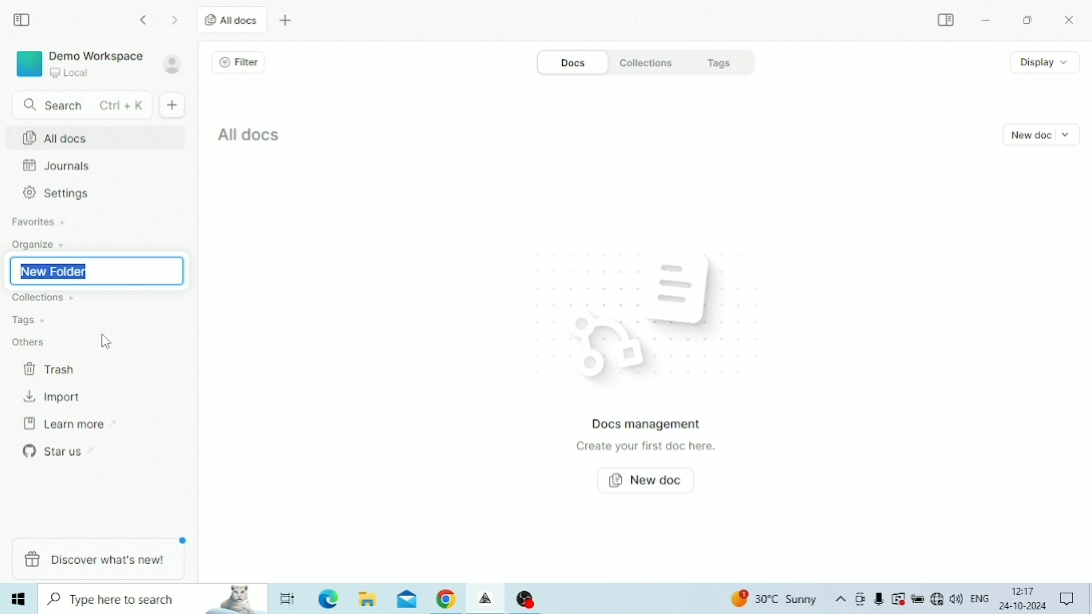  I want to click on Speakers, so click(956, 597).